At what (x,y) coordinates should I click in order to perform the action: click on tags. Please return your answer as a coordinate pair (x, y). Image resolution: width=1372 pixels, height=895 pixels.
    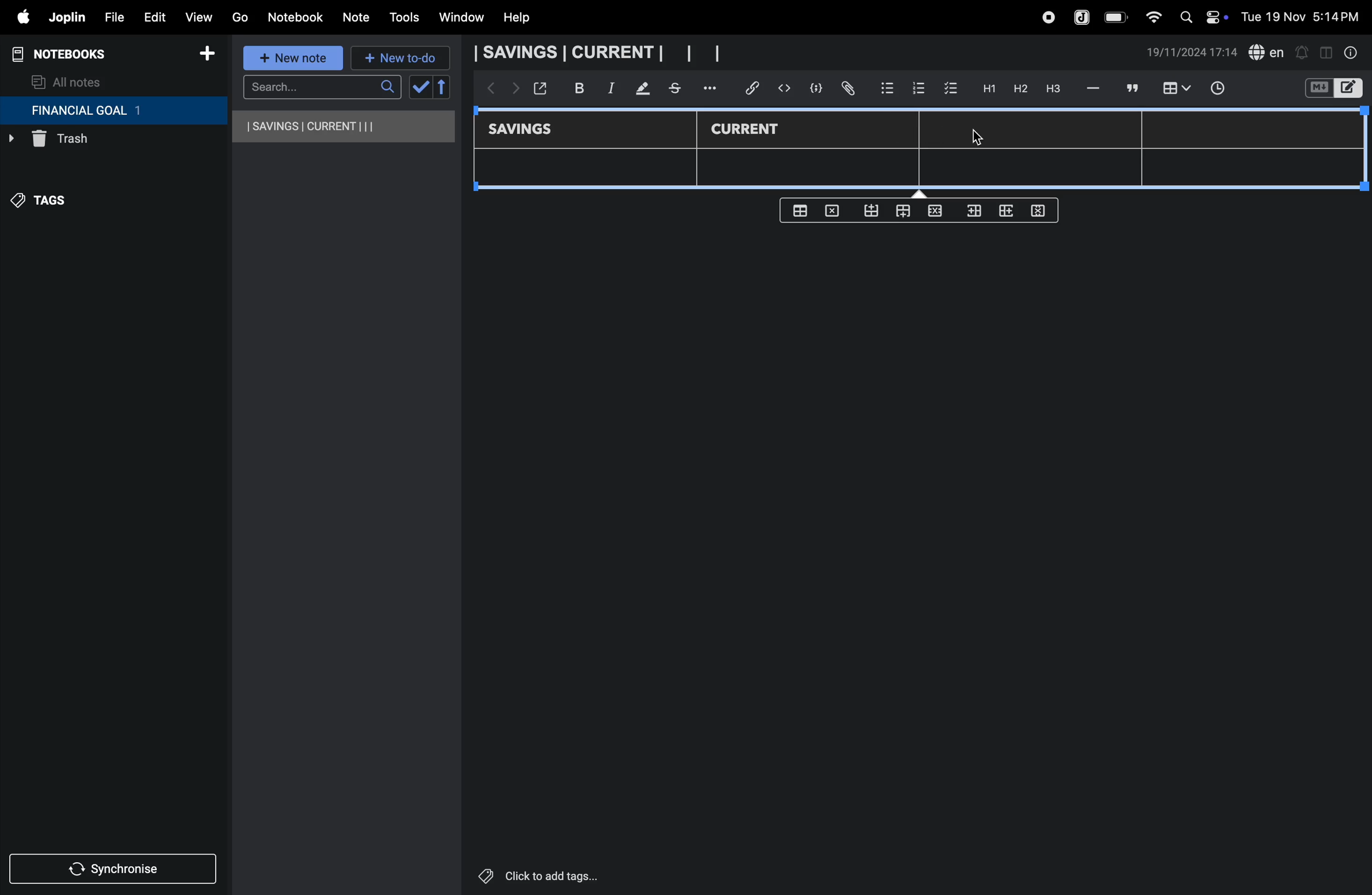
    Looking at the image, I should click on (47, 206).